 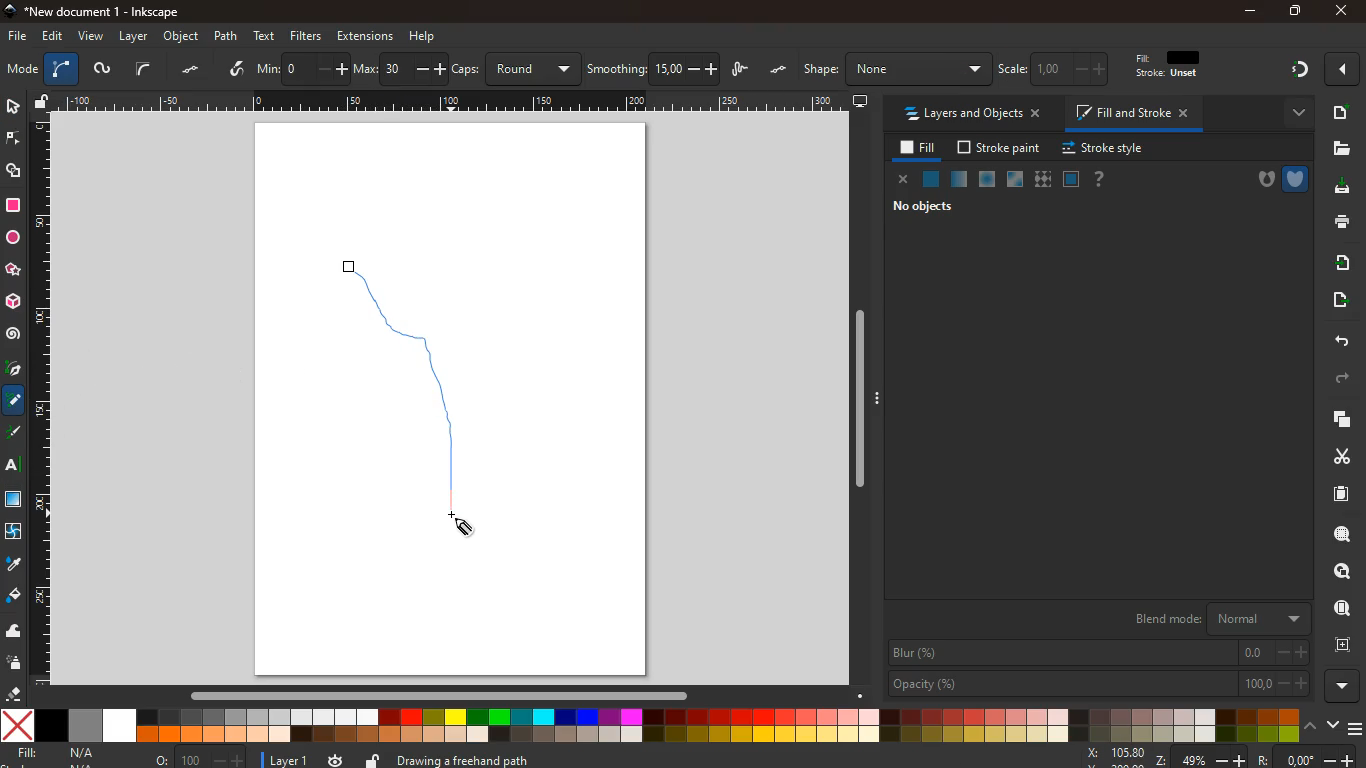 What do you see at coordinates (1042, 179) in the screenshot?
I see `texture` at bounding box center [1042, 179].